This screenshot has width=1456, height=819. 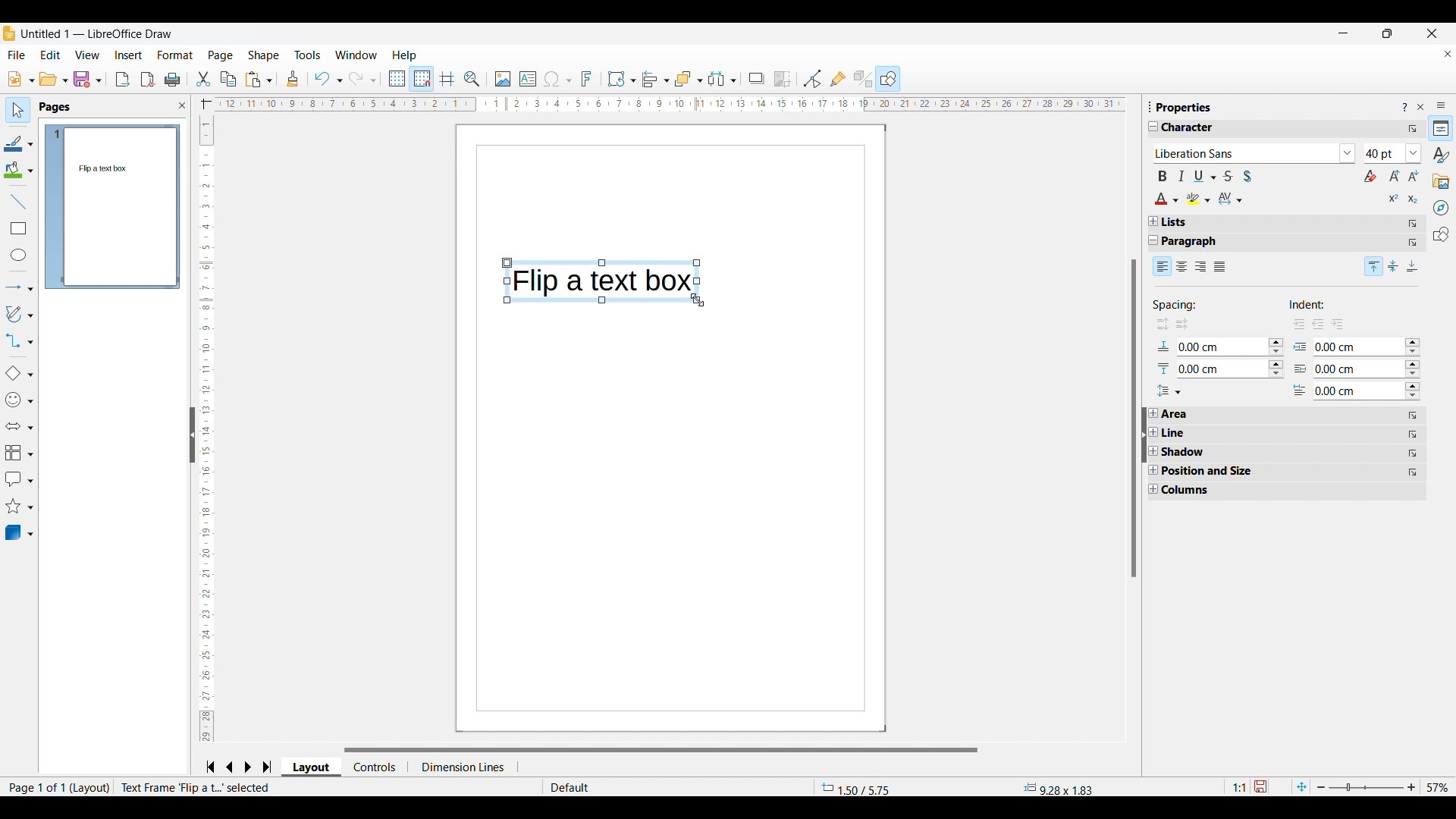 What do you see at coordinates (1154, 240) in the screenshot?
I see `Collapse` at bounding box center [1154, 240].